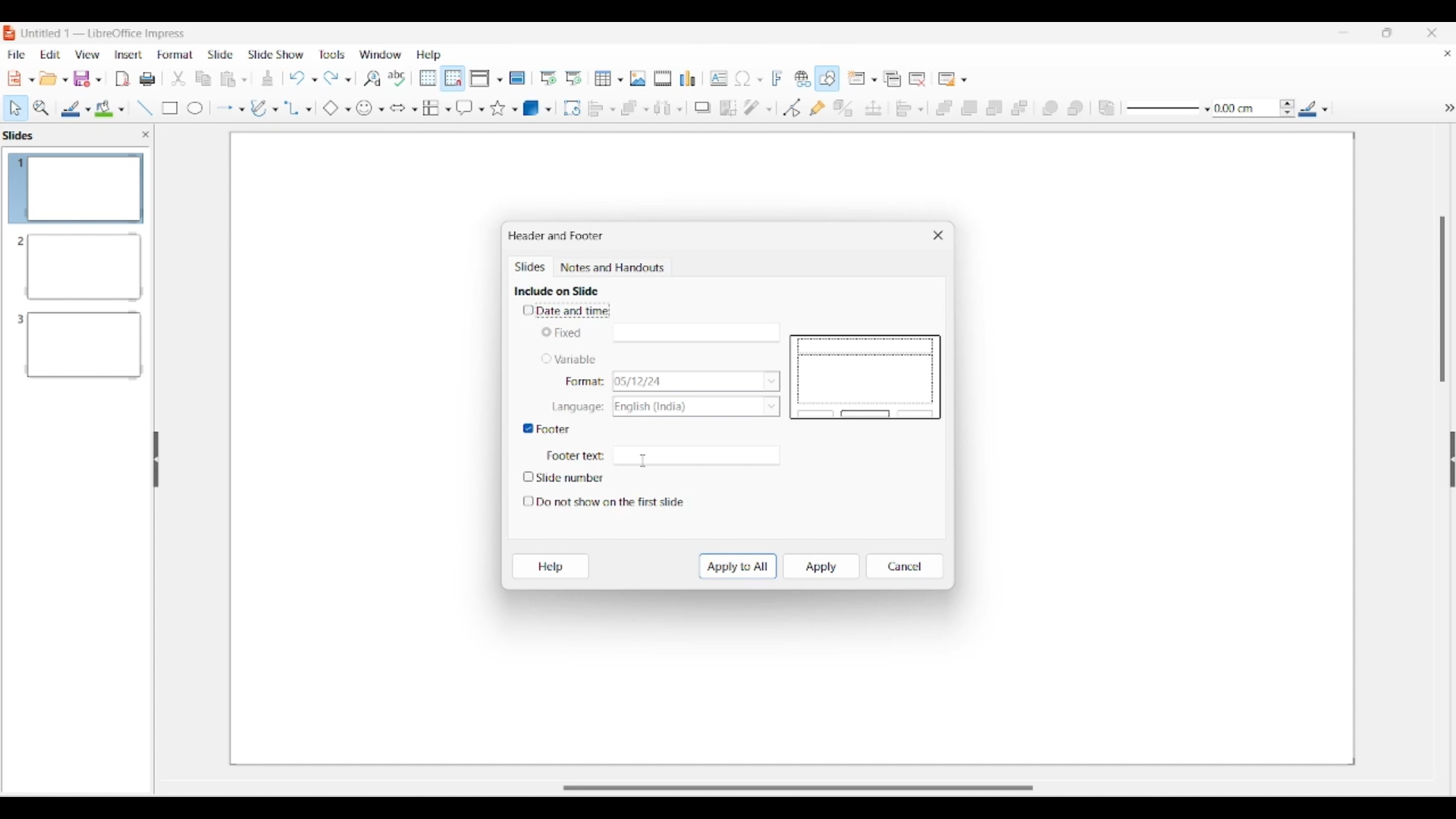 The image size is (1456, 819). I want to click on Cursor clicking on footer textbox, so click(643, 460).